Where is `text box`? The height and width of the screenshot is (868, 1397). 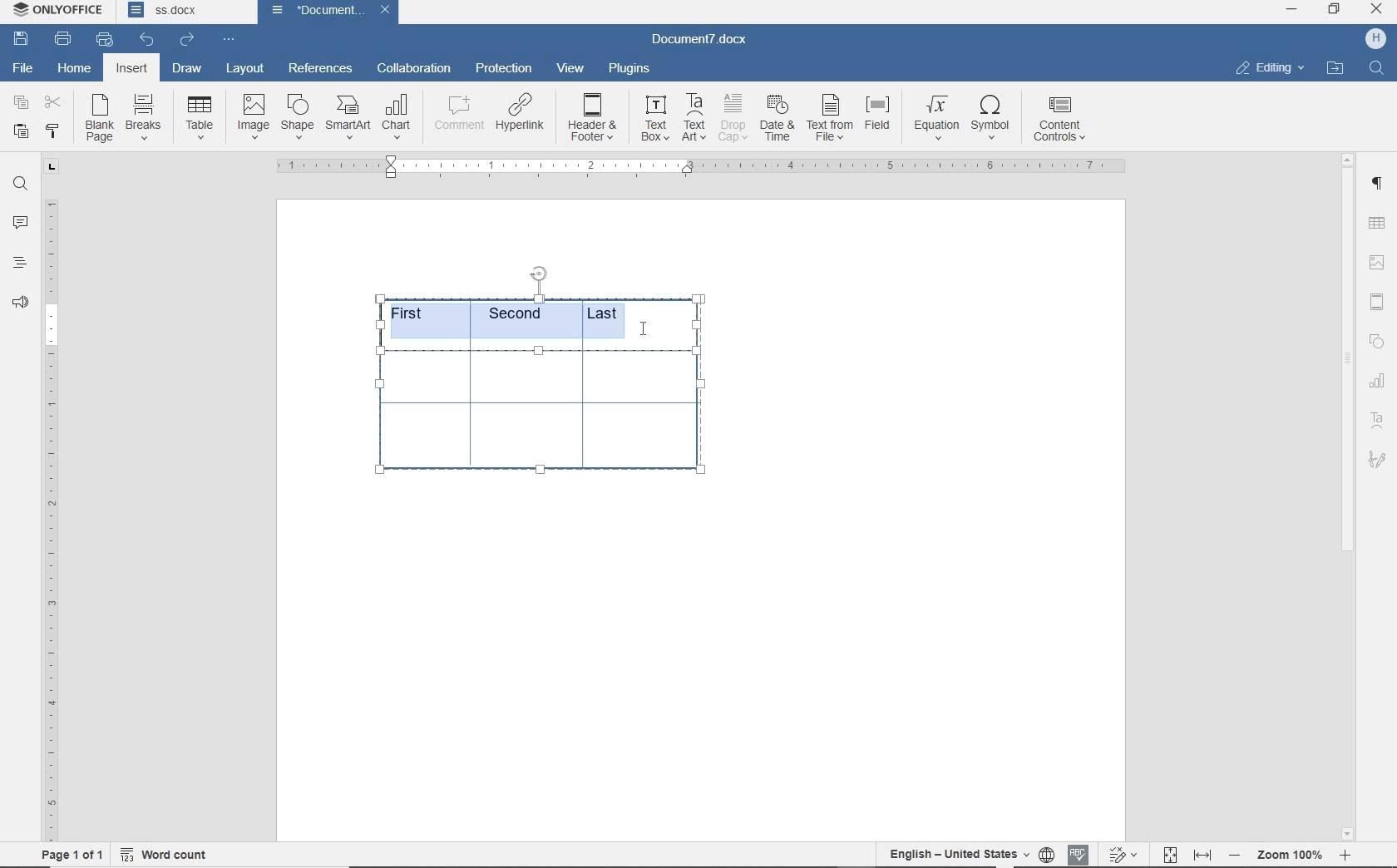 text box is located at coordinates (654, 118).